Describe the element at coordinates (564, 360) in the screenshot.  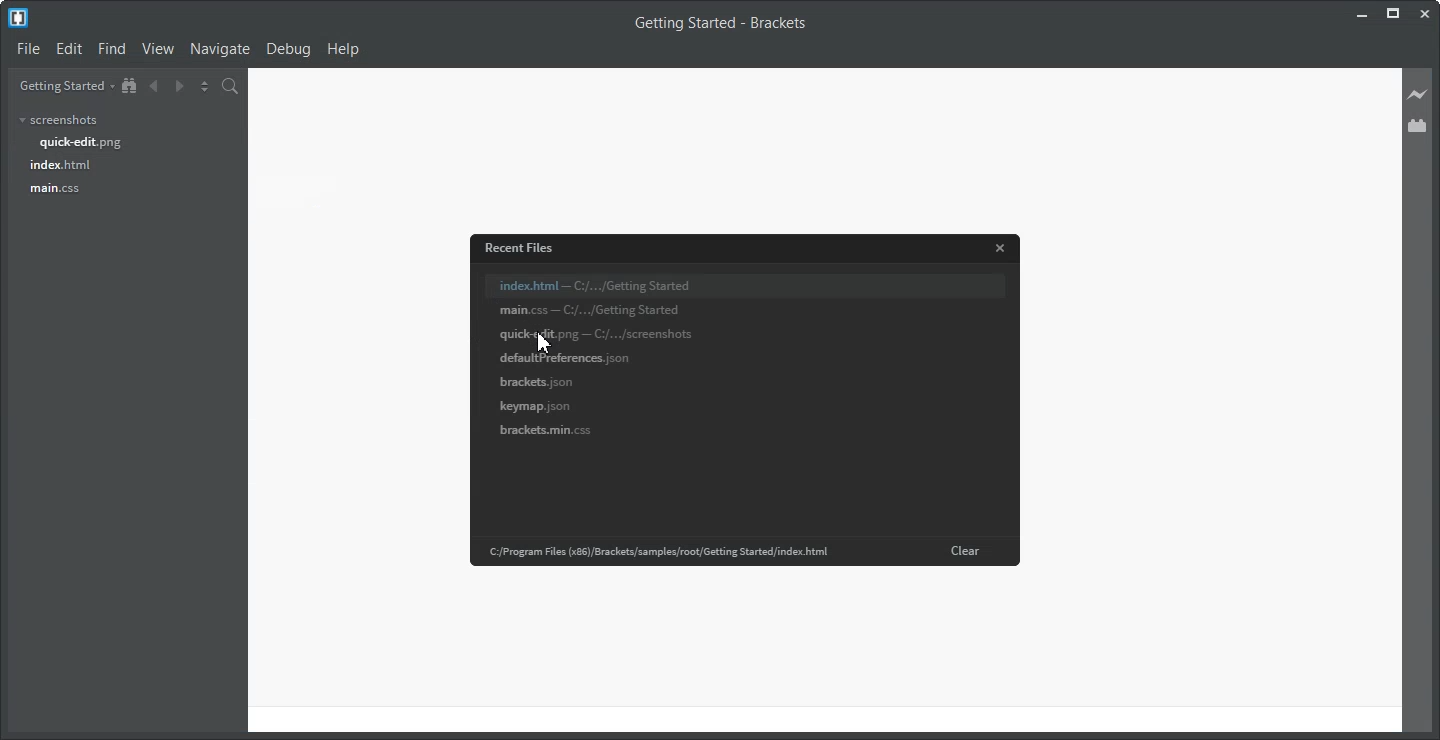
I see `‘defaultPreferences. json` at that location.